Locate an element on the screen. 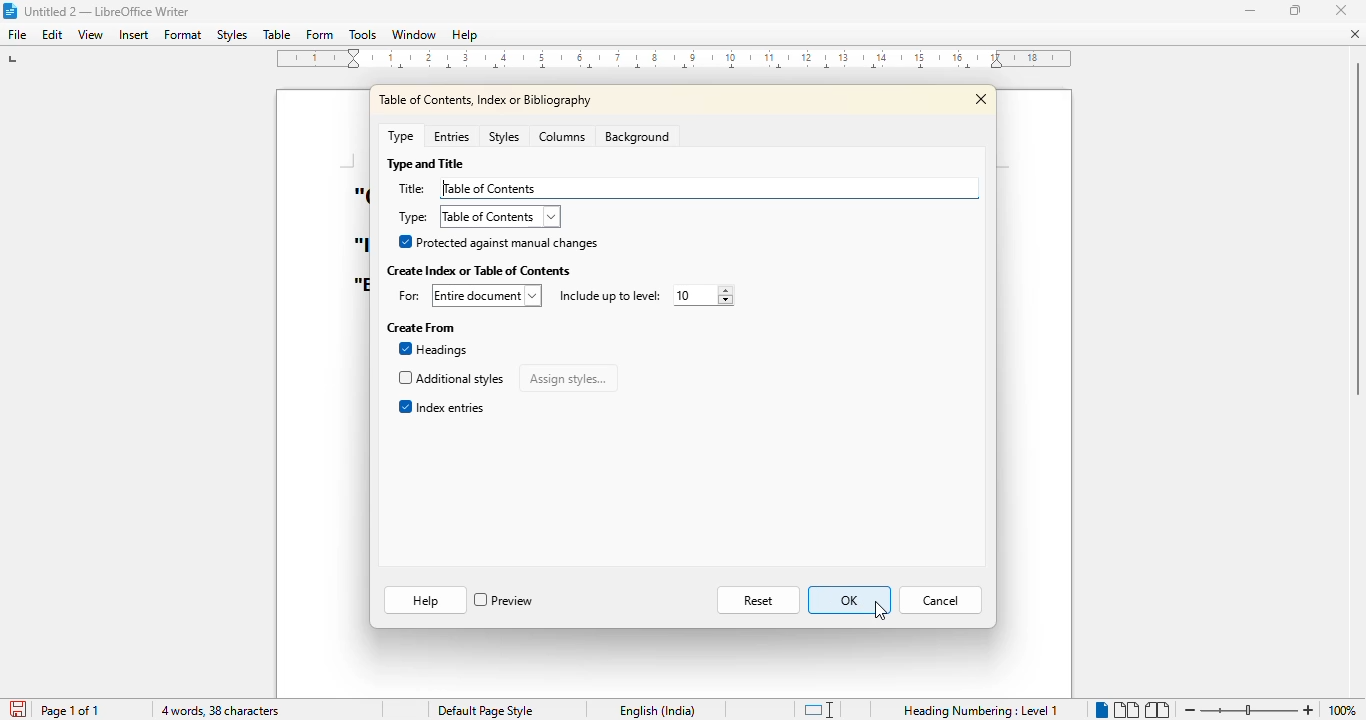  styles is located at coordinates (503, 137).